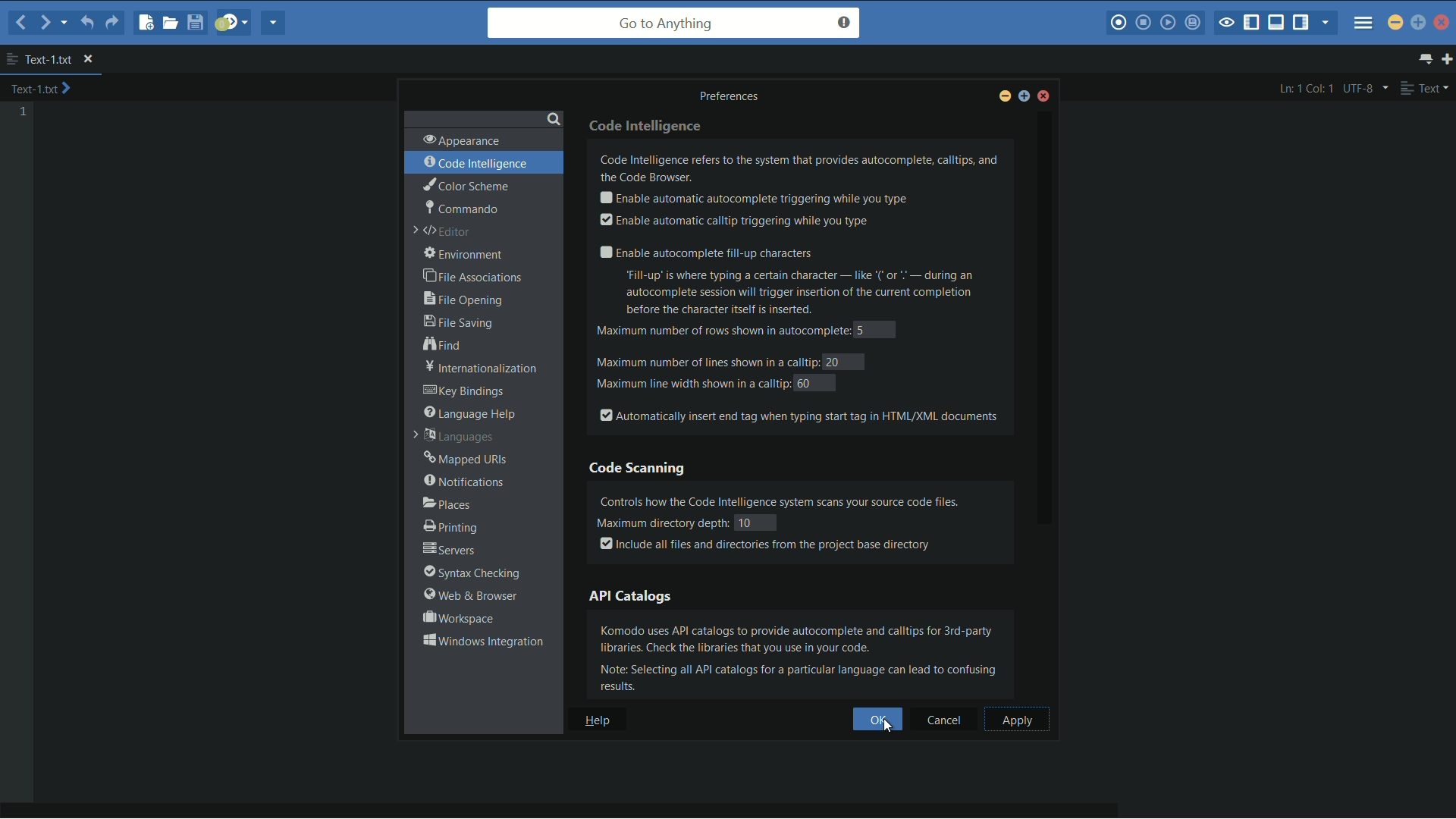  I want to click on printing, so click(449, 528).